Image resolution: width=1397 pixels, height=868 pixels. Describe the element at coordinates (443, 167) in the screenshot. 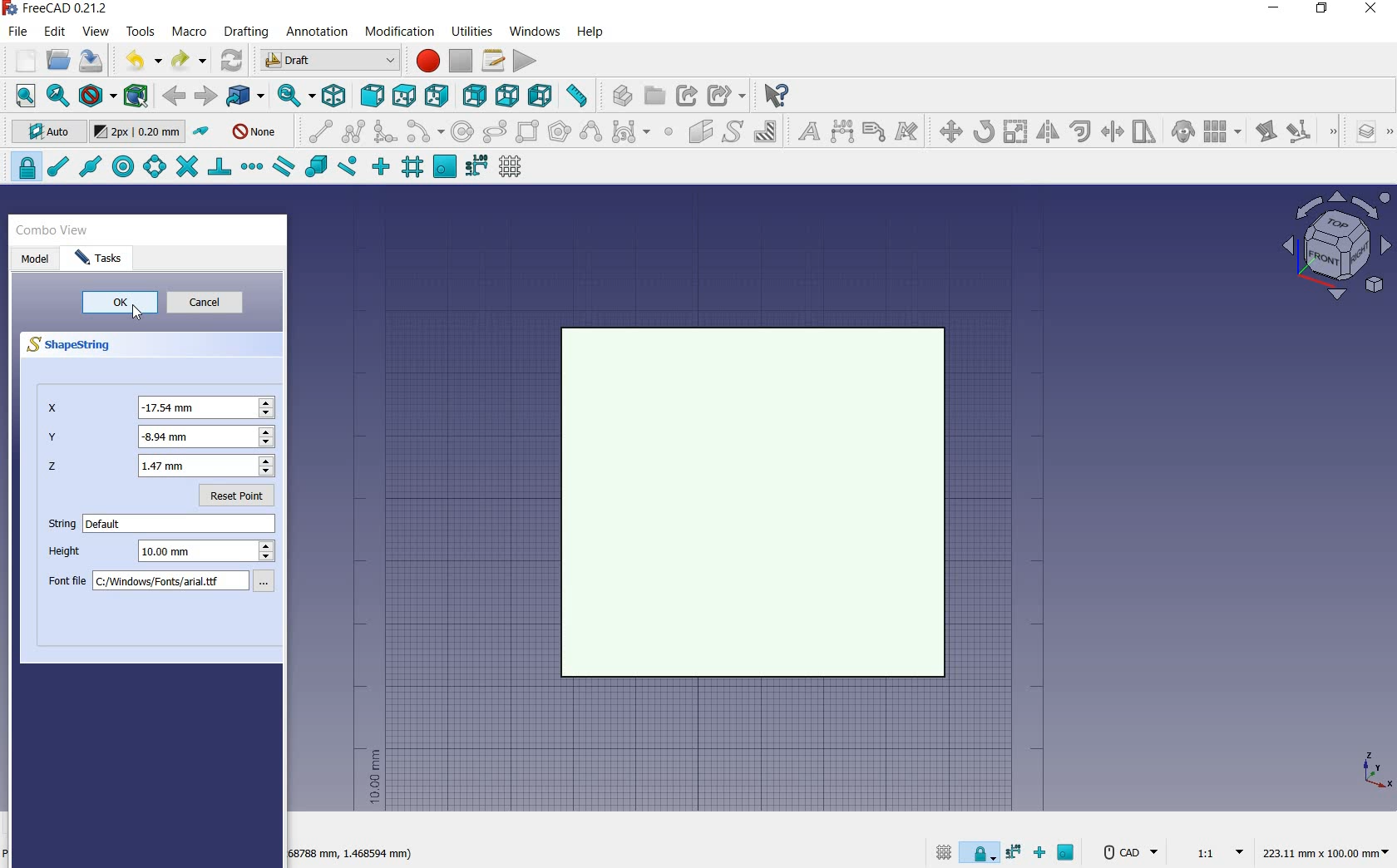

I see `snap working plane` at that location.